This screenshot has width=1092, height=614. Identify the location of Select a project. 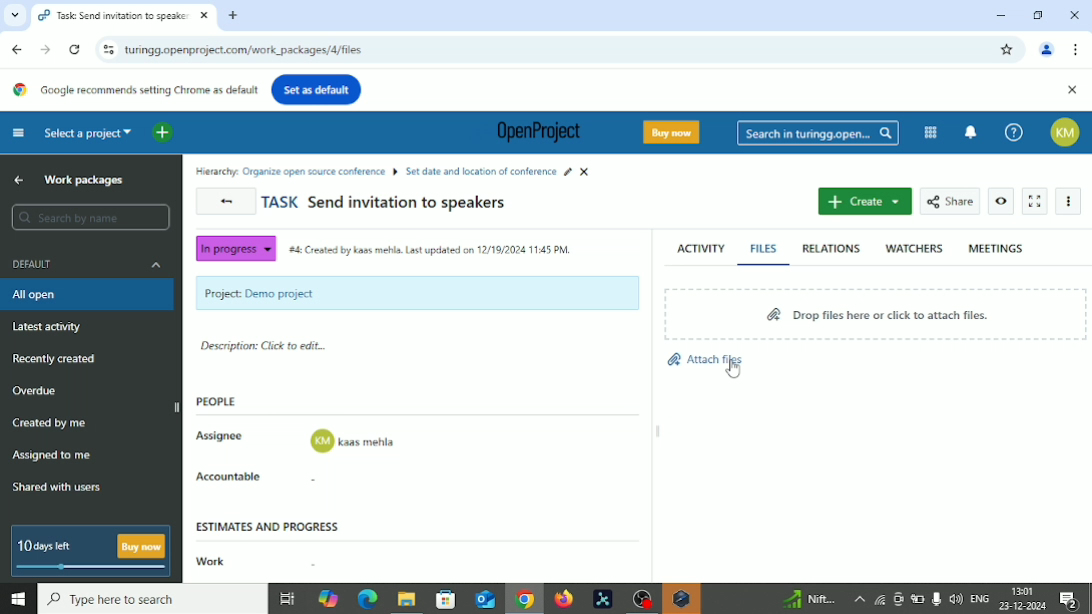
(89, 132).